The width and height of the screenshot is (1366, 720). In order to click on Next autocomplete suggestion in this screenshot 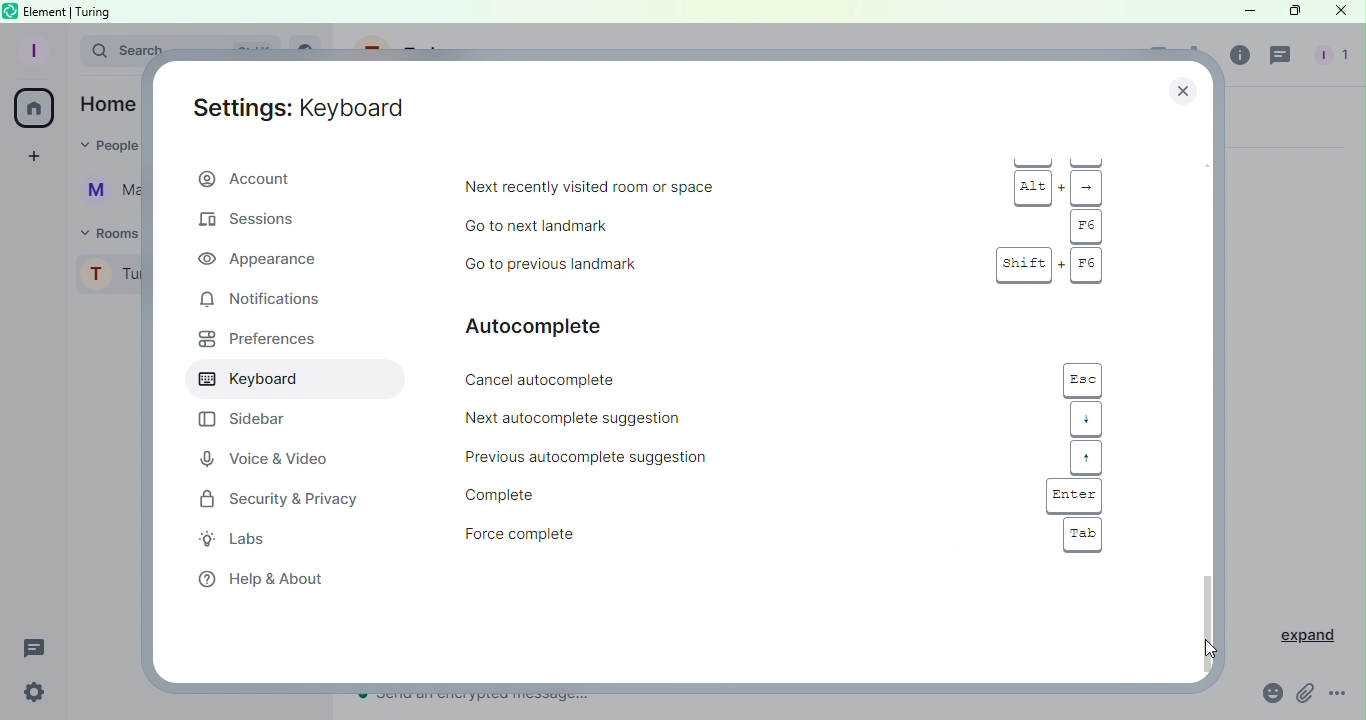, I will do `click(637, 416)`.